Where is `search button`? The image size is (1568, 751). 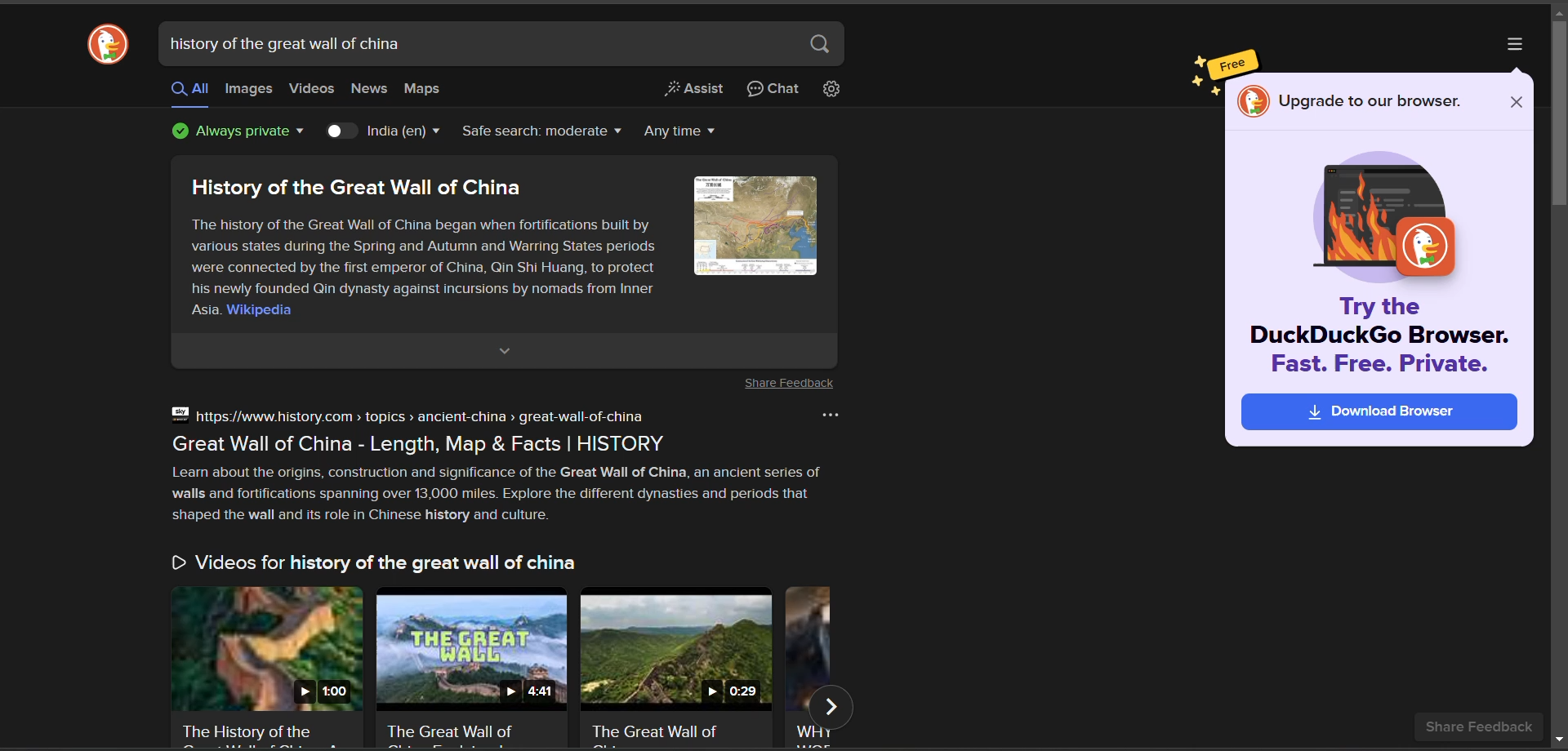
search button is located at coordinates (826, 45).